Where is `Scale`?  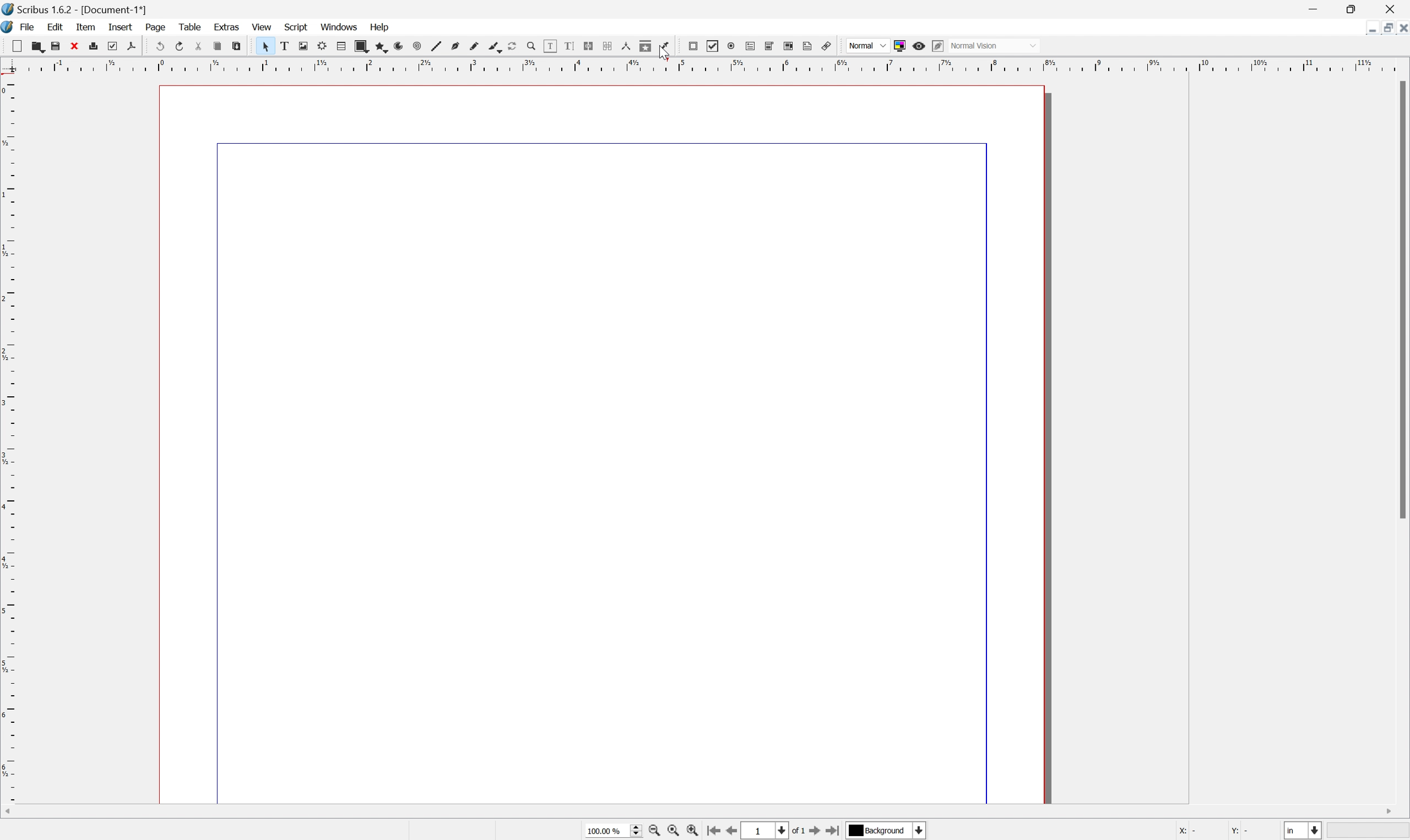 Scale is located at coordinates (10, 439).